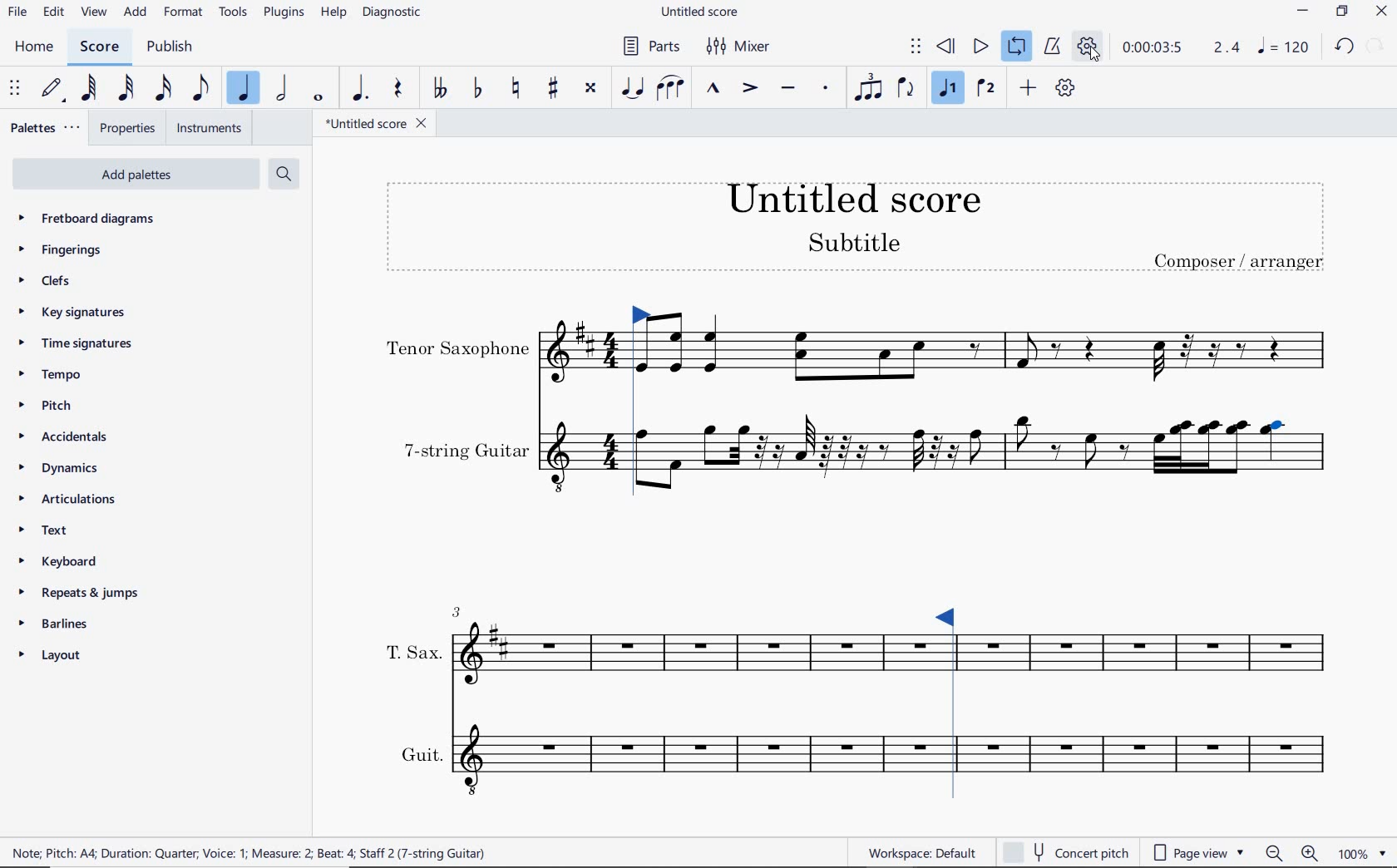 This screenshot has width=1397, height=868. What do you see at coordinates (88, 87) in the screenshot?
I see `64TH NOTE` at bounding box center [88, 87].